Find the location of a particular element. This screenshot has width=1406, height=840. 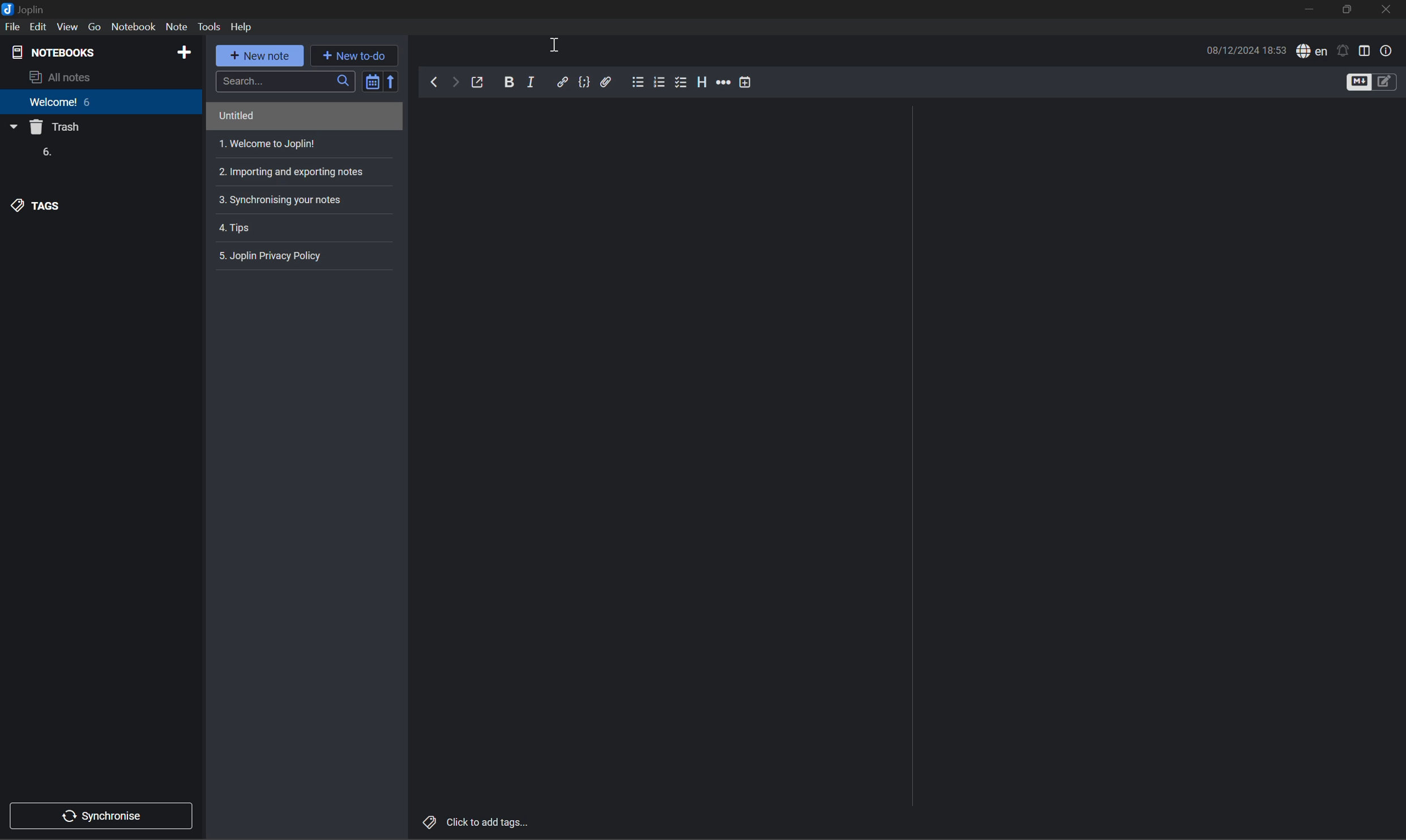

New note is located at coordinates (263, 57).